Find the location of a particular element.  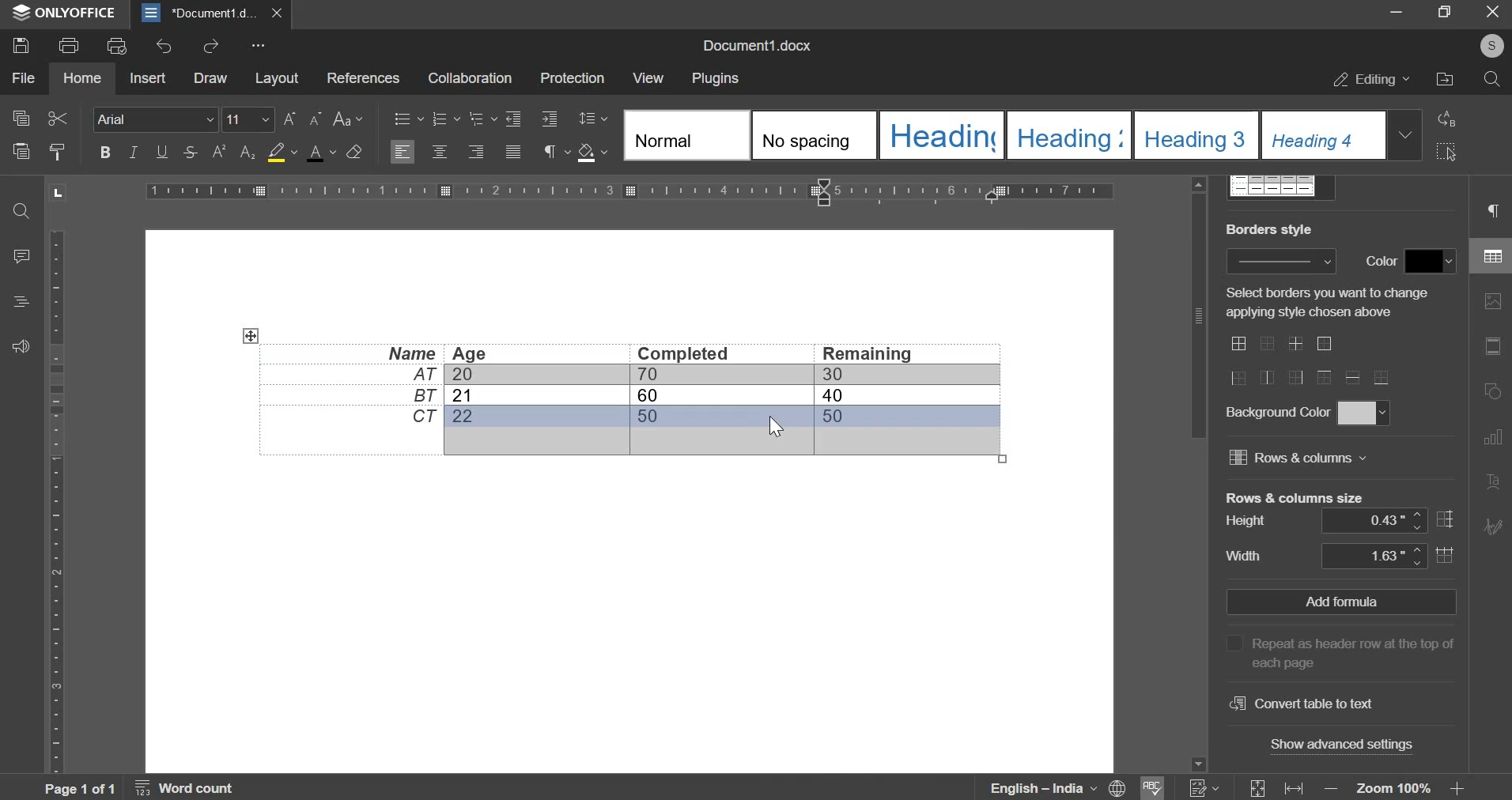

protection is located at coordinates (572, 78).